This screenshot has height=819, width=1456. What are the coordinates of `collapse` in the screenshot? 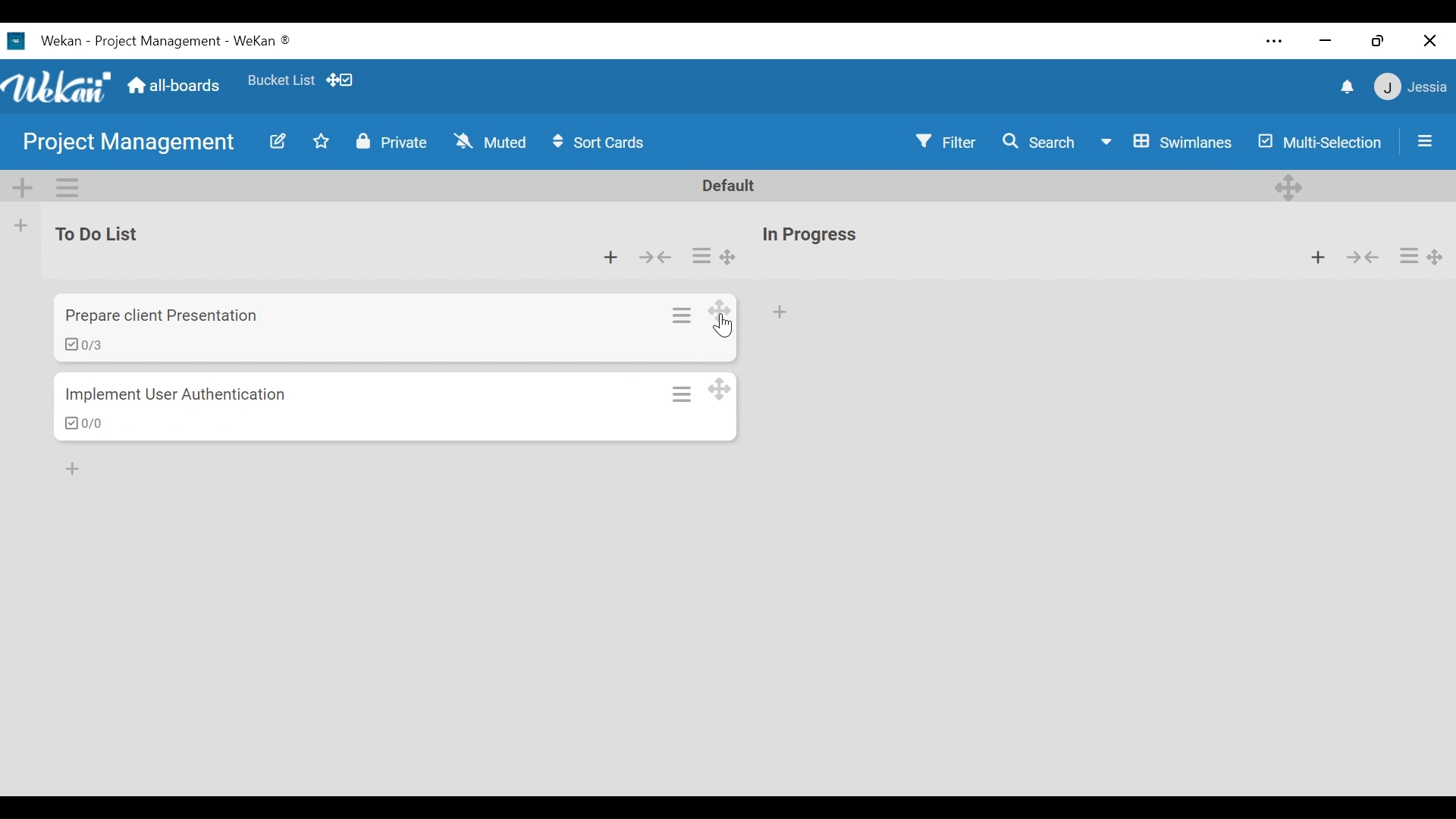 It's located at (1363, 257).